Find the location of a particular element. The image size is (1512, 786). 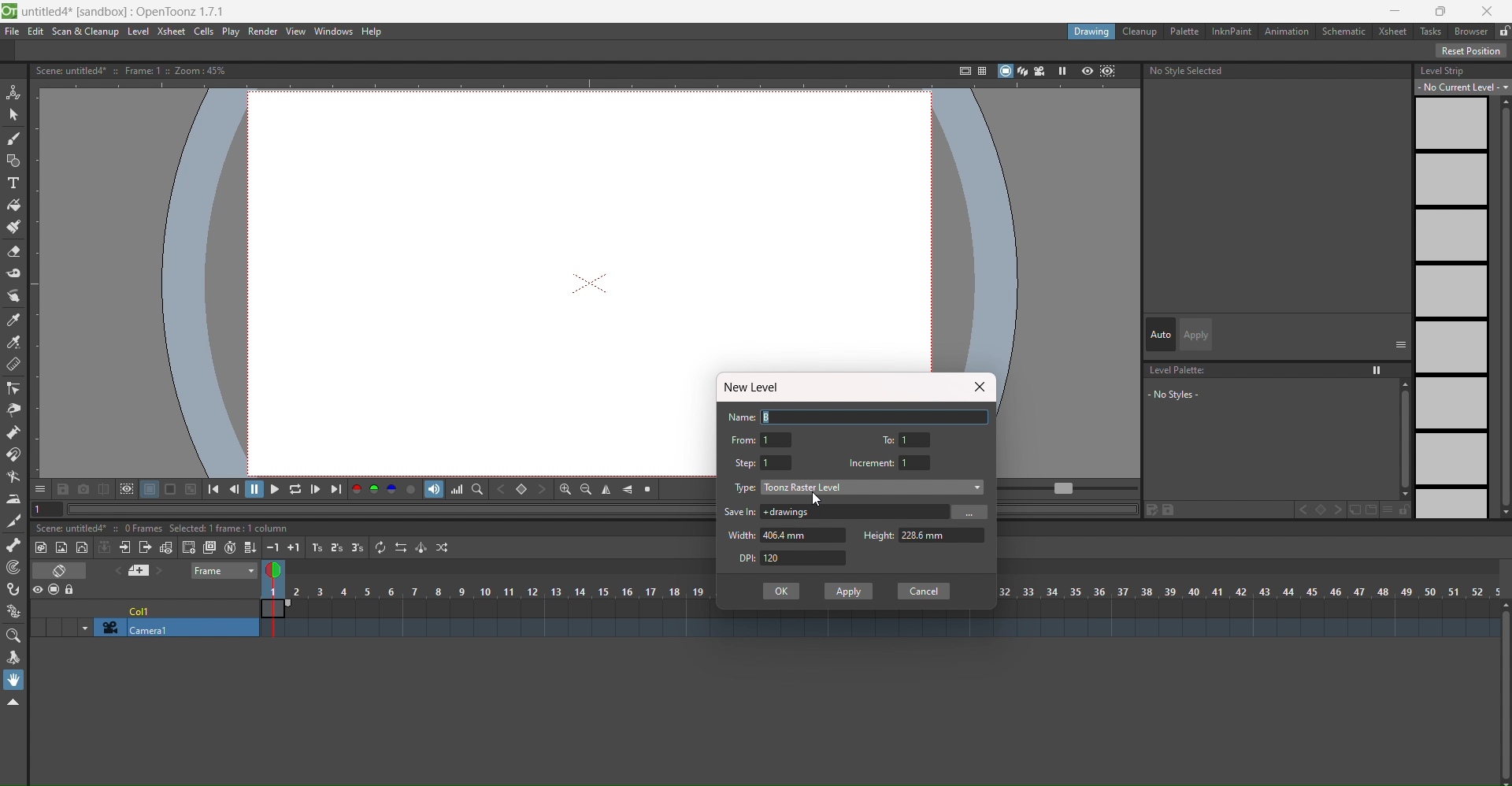

bender tool is located at coordinates (14, 477).